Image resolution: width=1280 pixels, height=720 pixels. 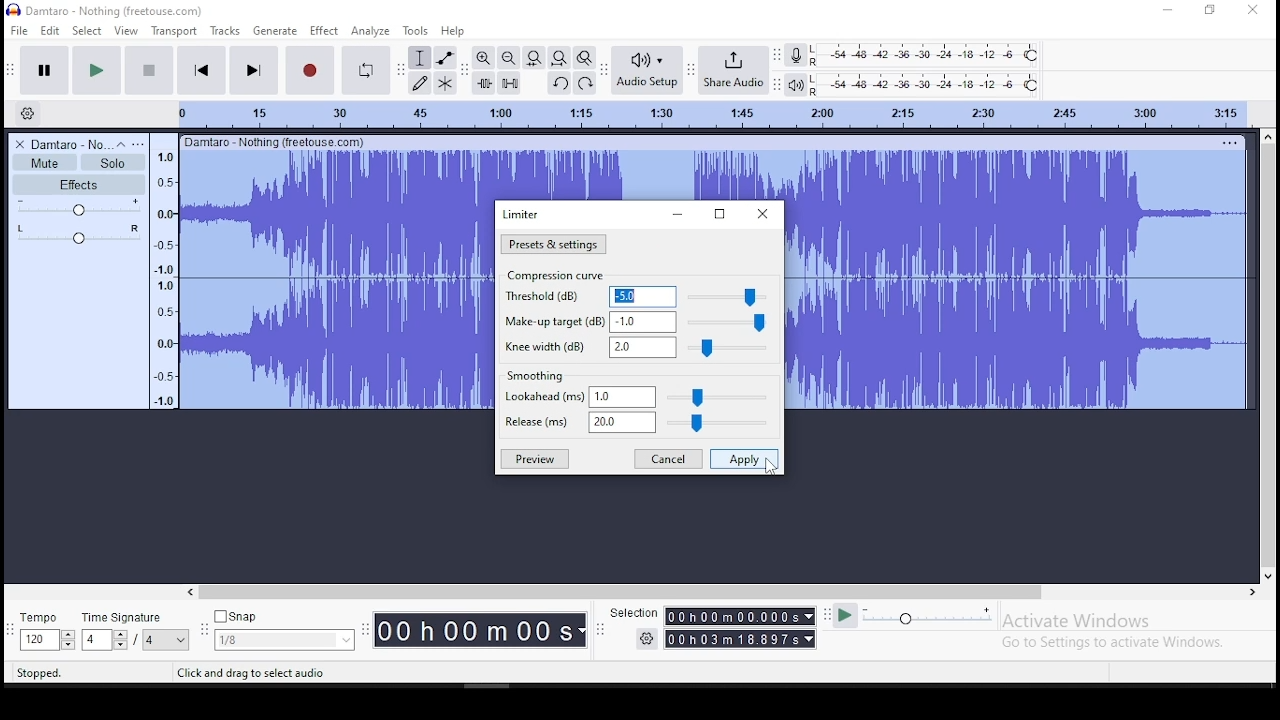 What do you see at coordinates (796, 54) in the screenshot?
I see `record meter` at bounding box center [796, 54].